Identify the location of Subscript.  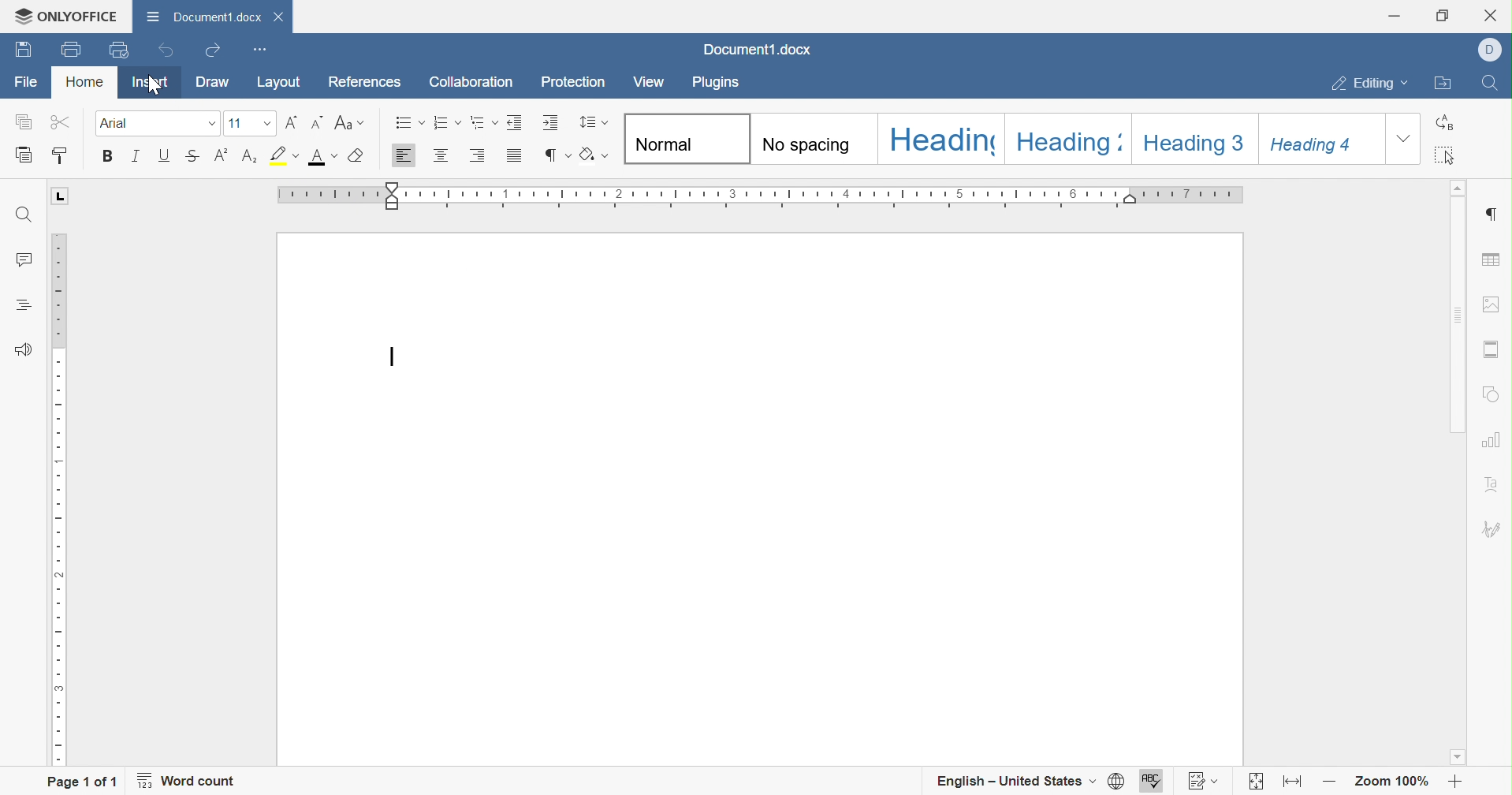
(254, 156).